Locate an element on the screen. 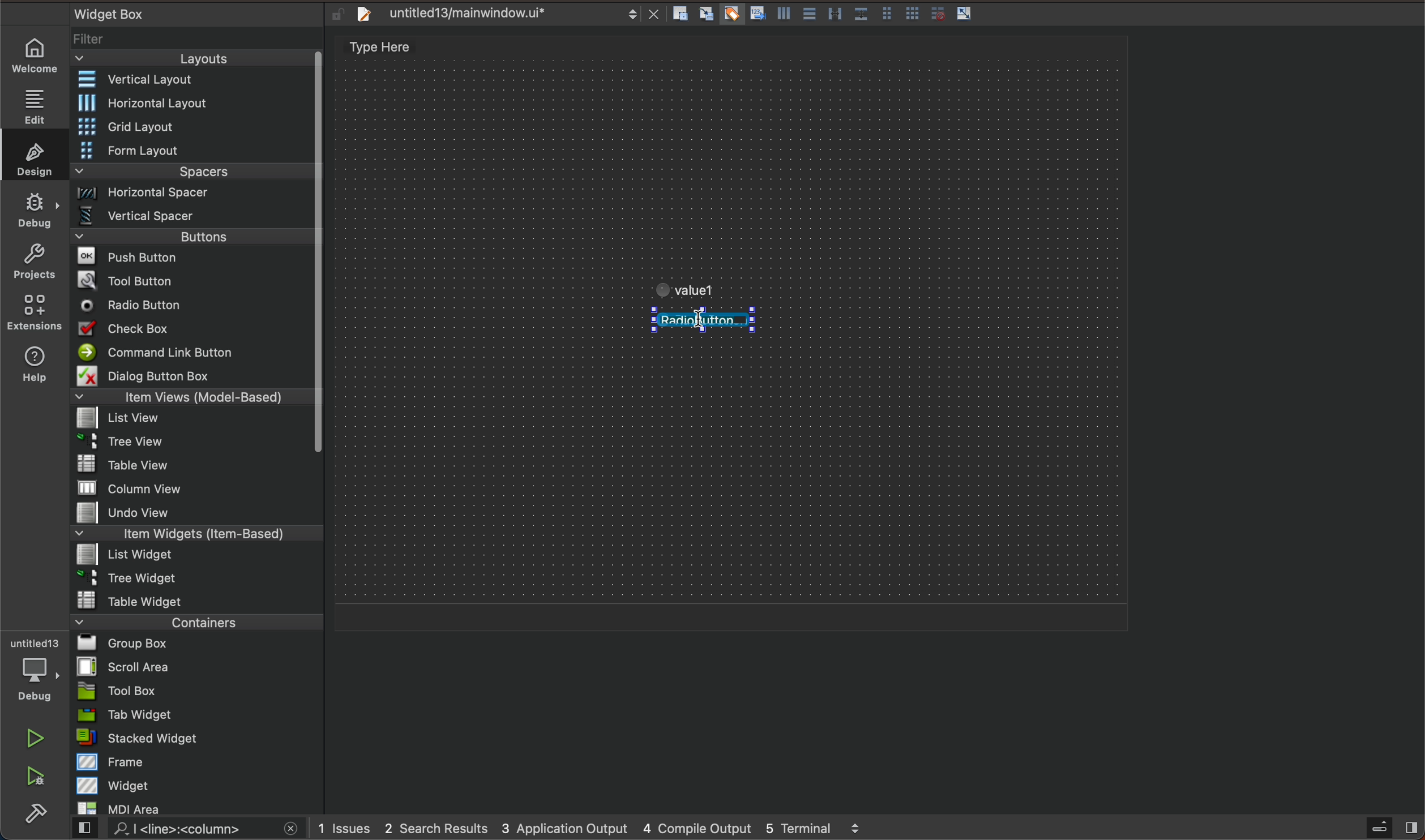 The image size is (1425, 840). start typing is located at coordinates (701, 290).